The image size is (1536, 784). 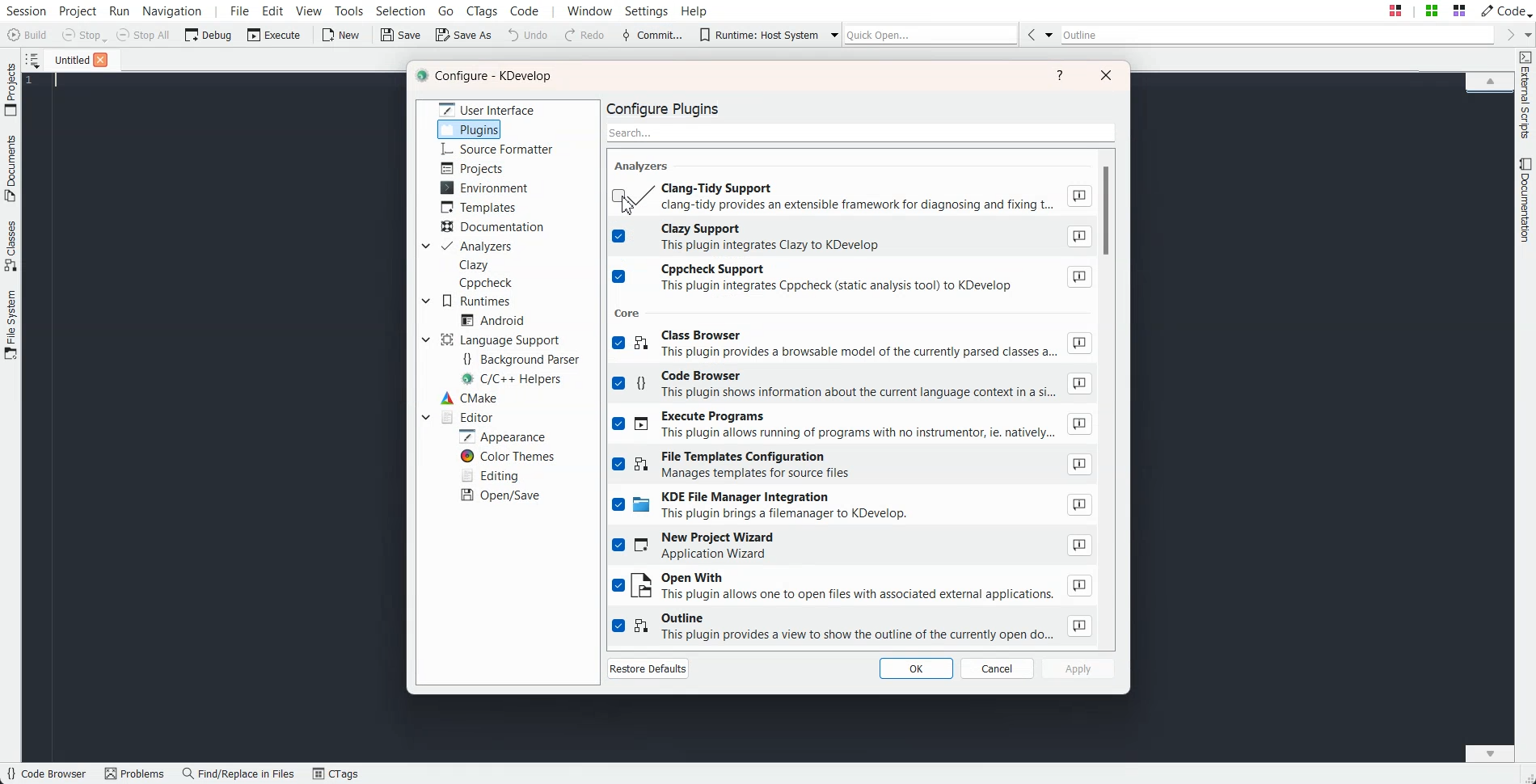 What do you see at coordinates (466, 416) in the screenshot?
I see `Editor` at bounding box center [466, 416].